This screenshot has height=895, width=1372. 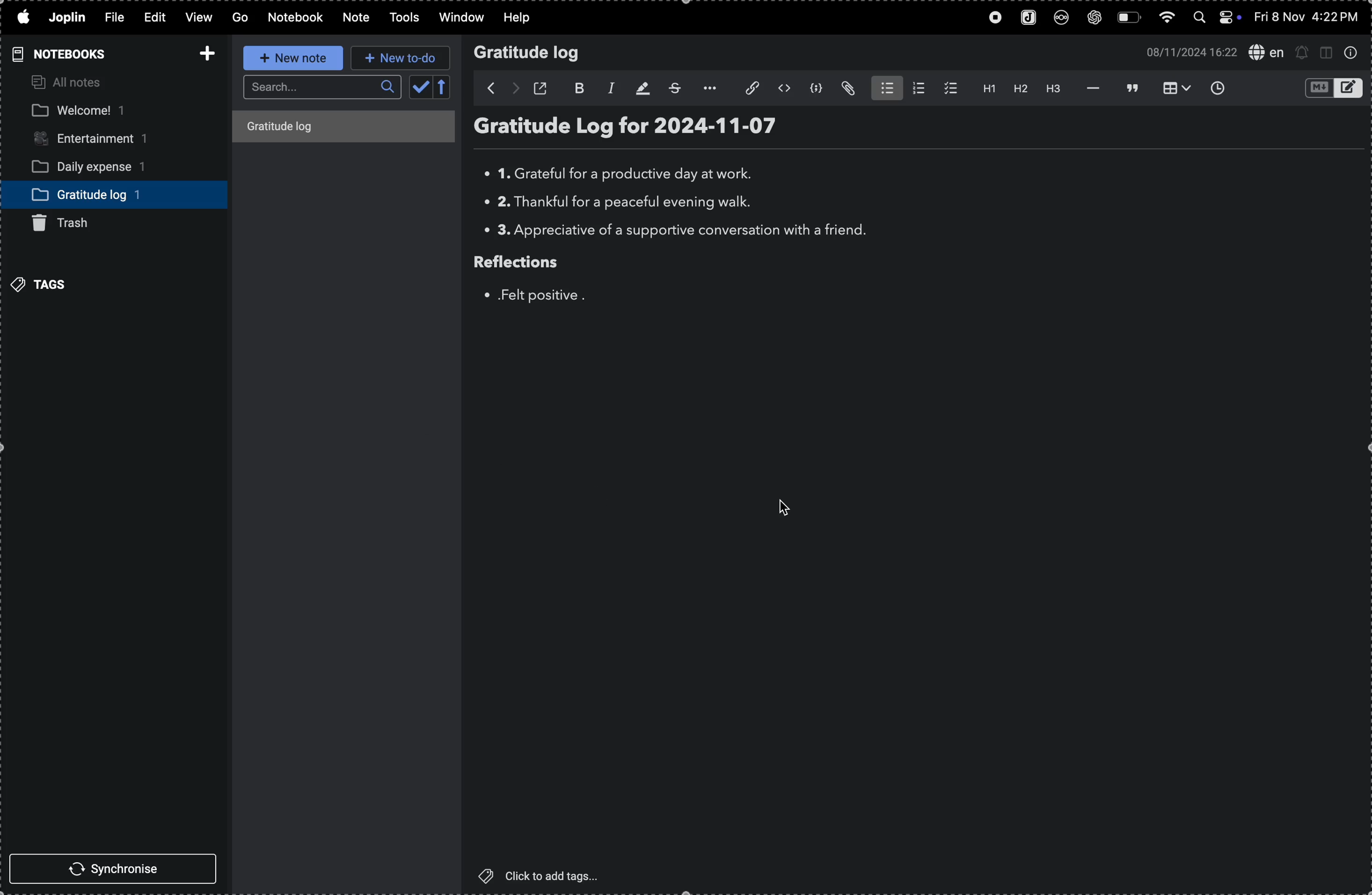 I want to click on help, so click(x=521, y=18).